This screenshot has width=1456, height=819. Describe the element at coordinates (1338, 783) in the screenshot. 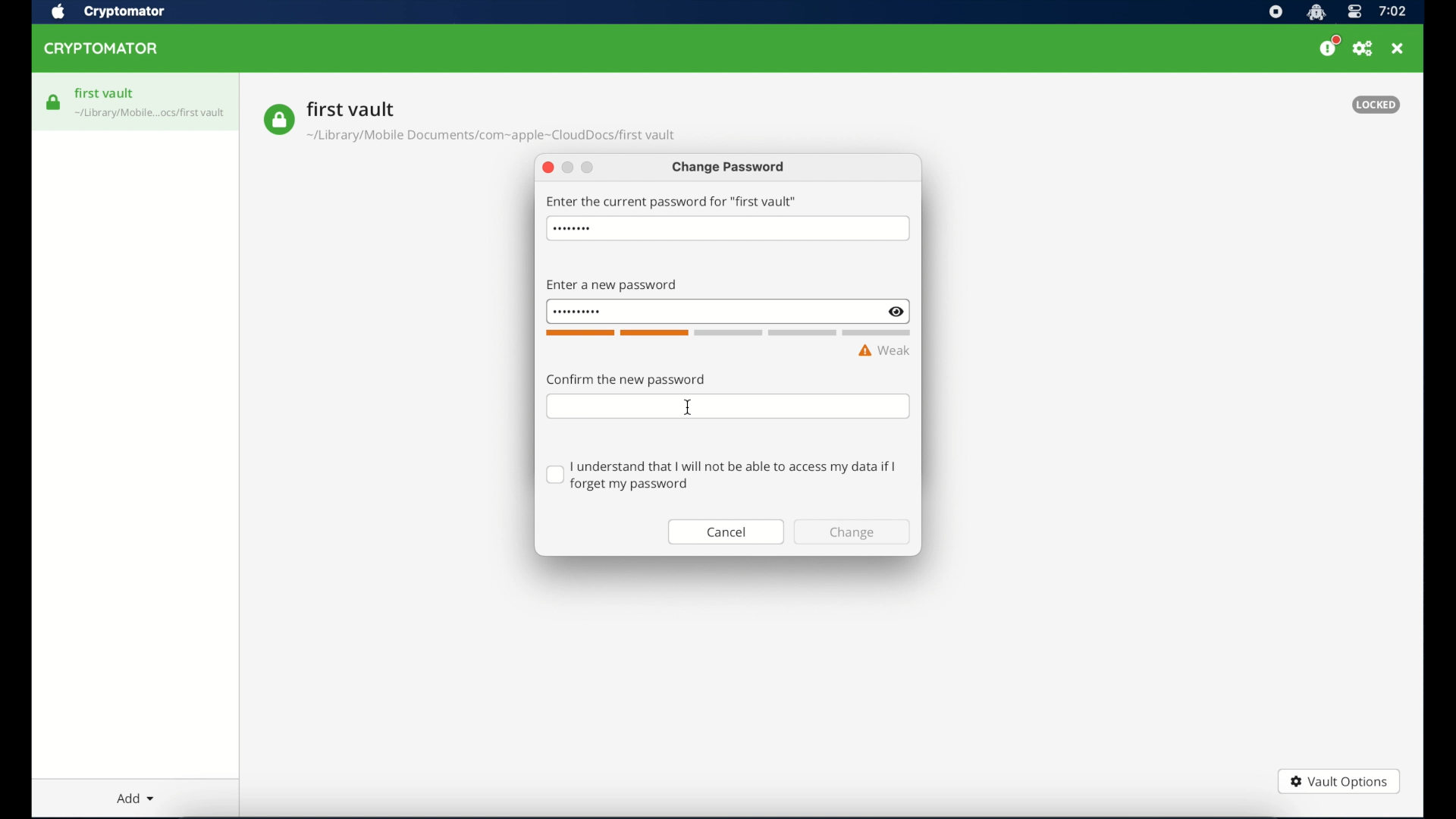

I see `vault options` at that location.